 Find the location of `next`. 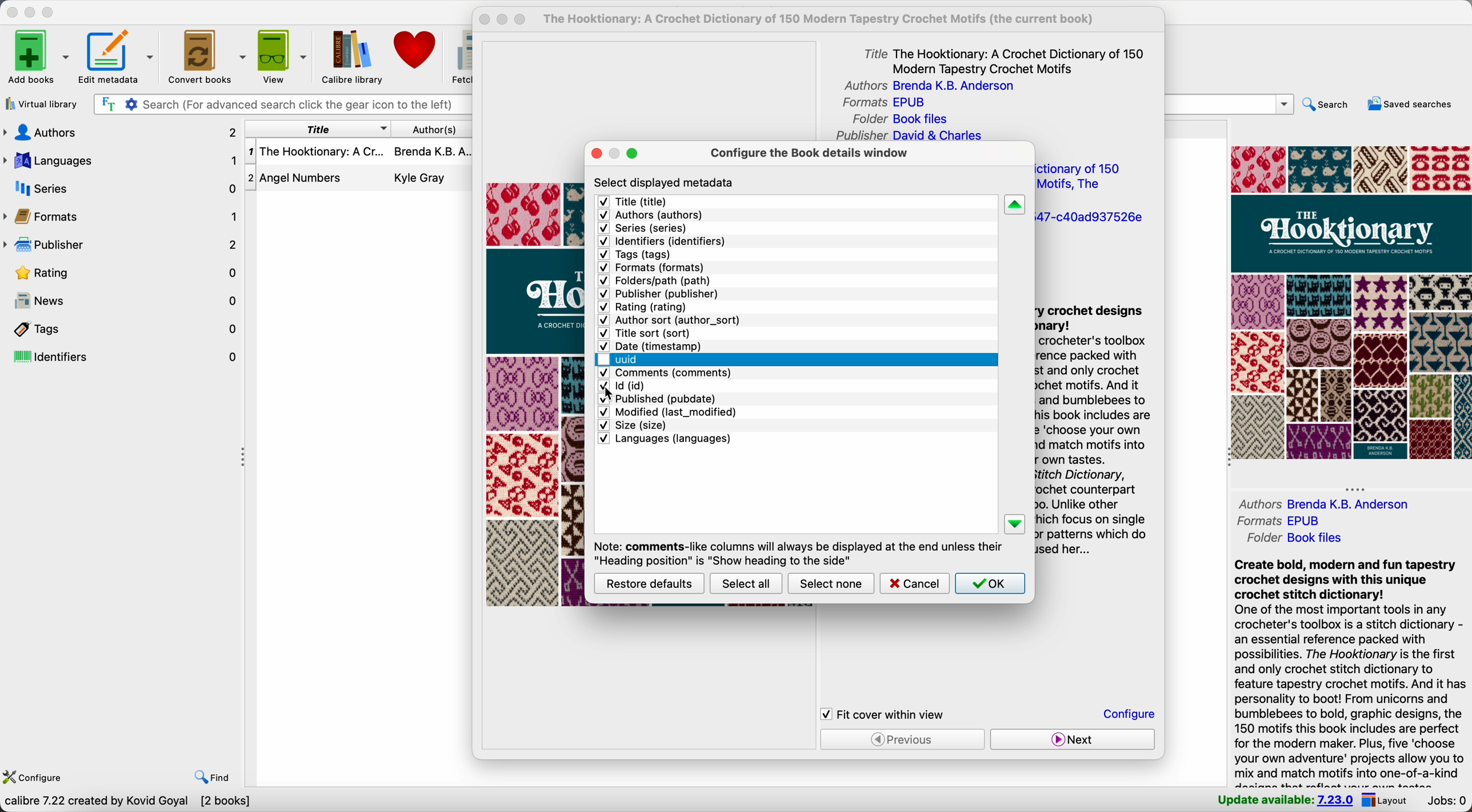

next is located at coordinates (1071, 739).